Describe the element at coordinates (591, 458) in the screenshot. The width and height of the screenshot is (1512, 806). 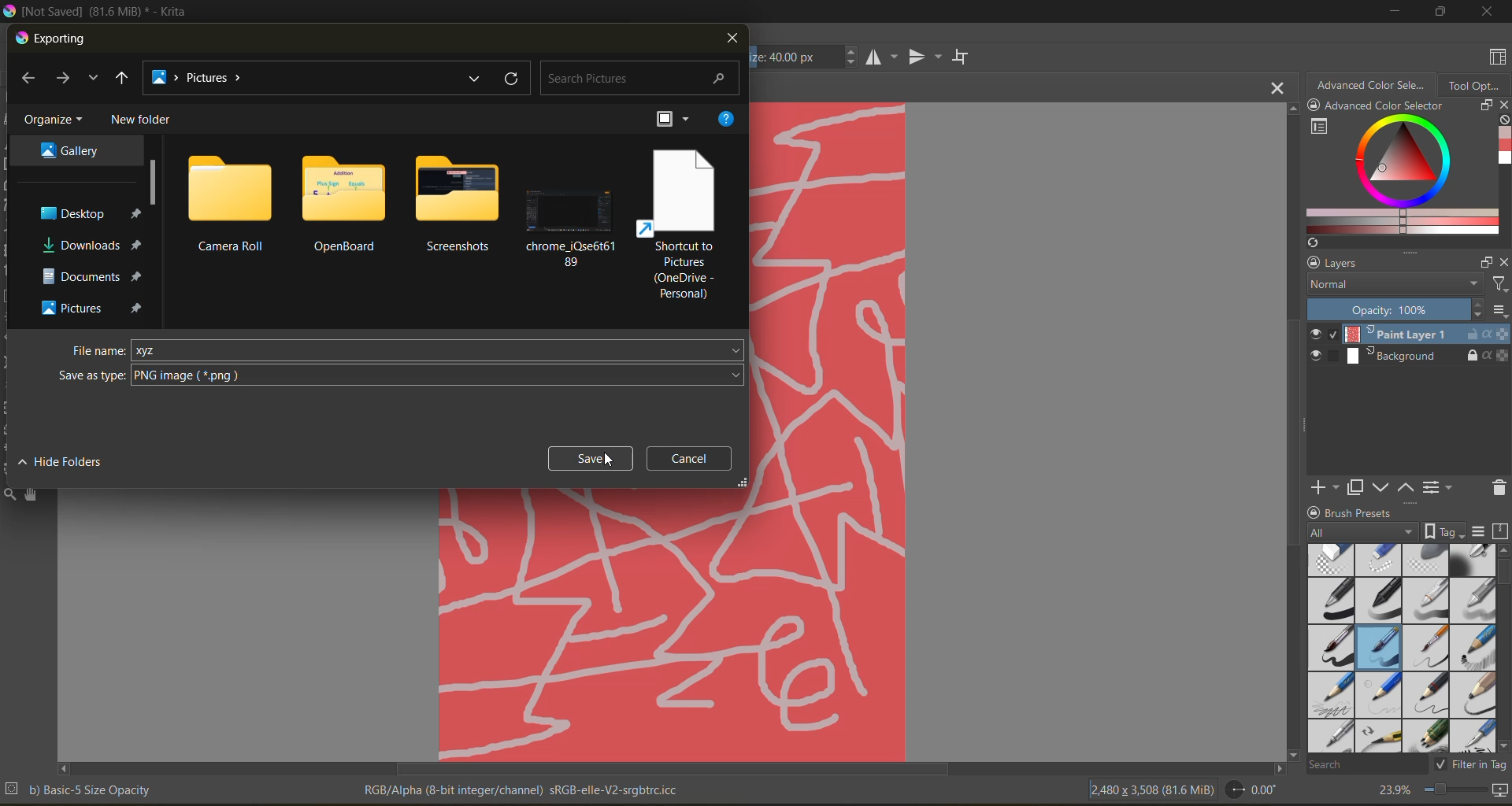
I see `save` at that location.